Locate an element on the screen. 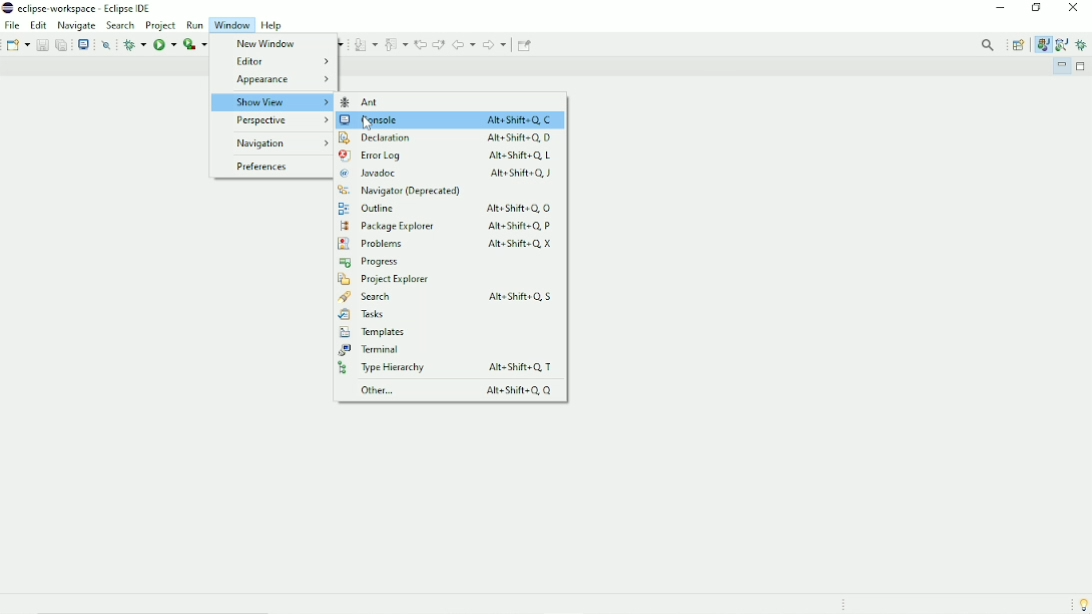 The height and width of the screenshot is (614, 1092). Cursor is located at coordinates (369, 124).